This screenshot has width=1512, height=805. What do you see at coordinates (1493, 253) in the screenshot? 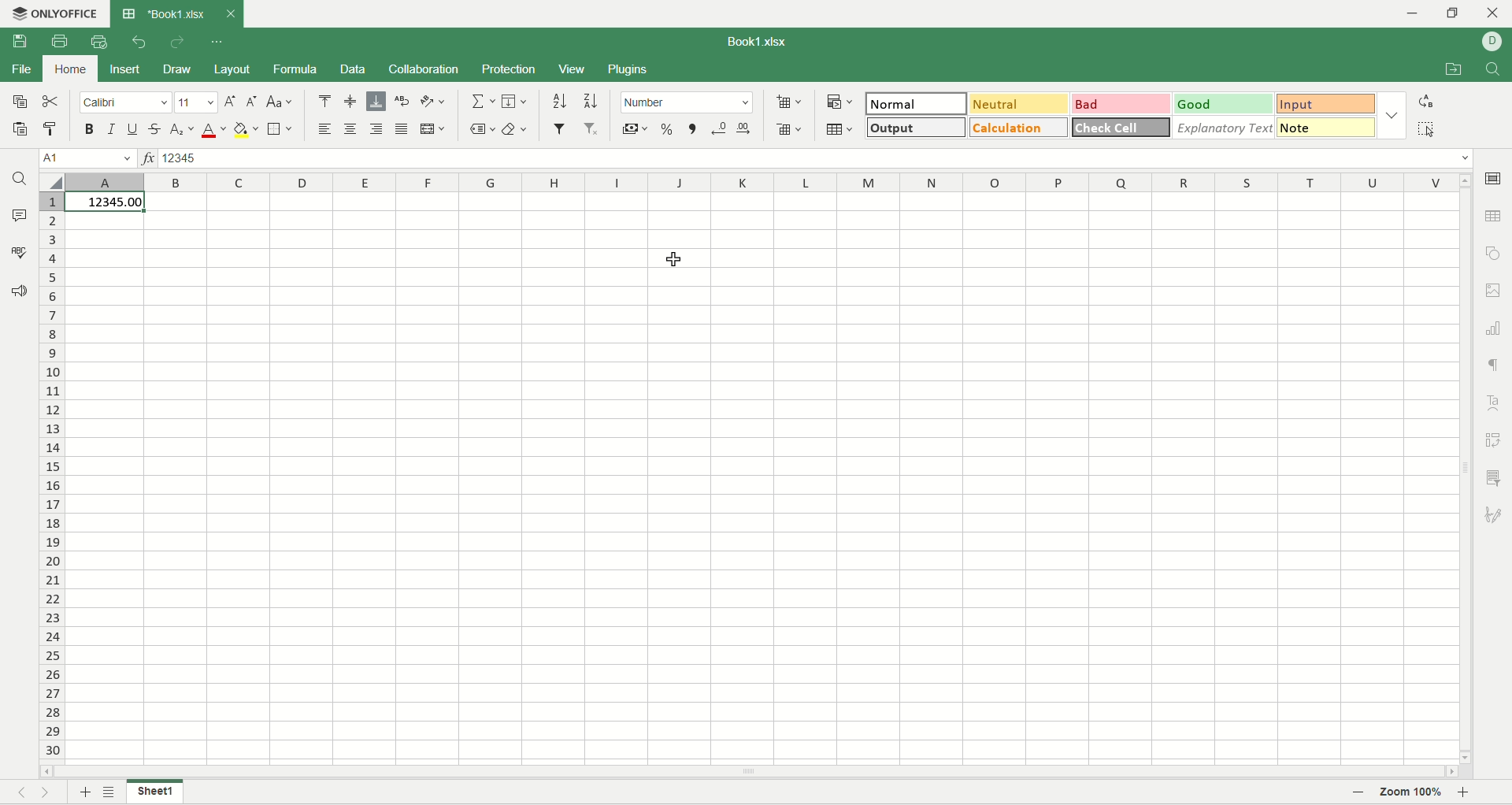
I see `object settings` at bounding box center [1493, 253].